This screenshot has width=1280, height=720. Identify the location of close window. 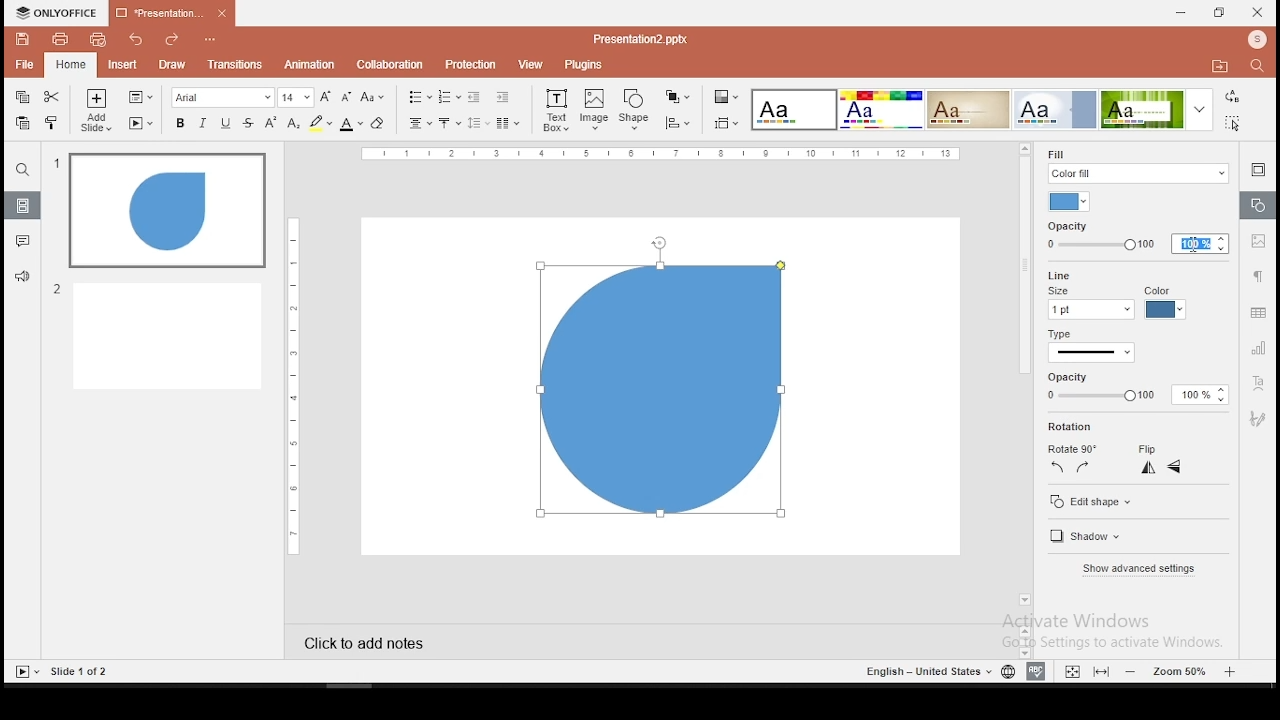
(1258, 12).